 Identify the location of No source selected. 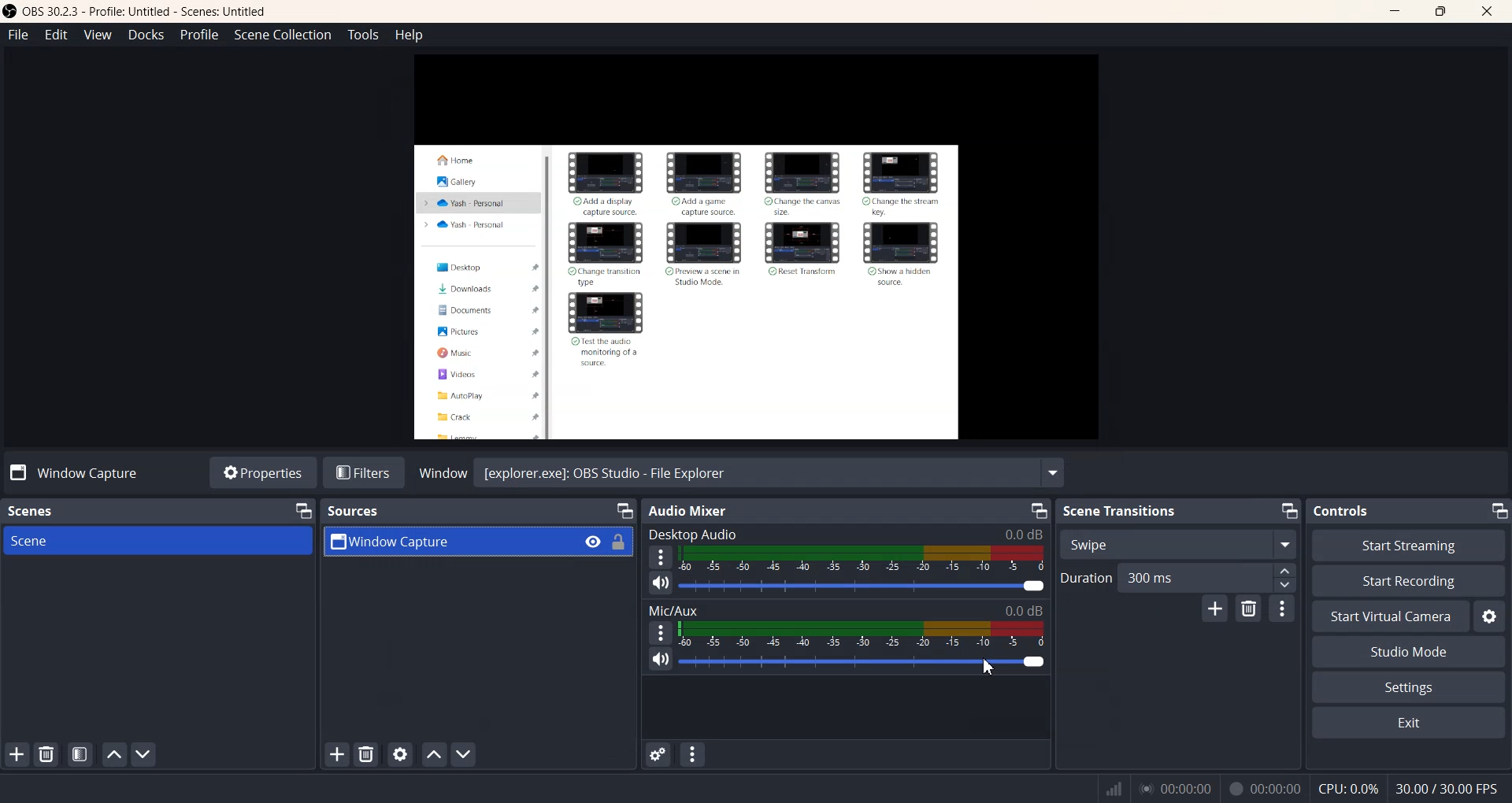
(72, 472).